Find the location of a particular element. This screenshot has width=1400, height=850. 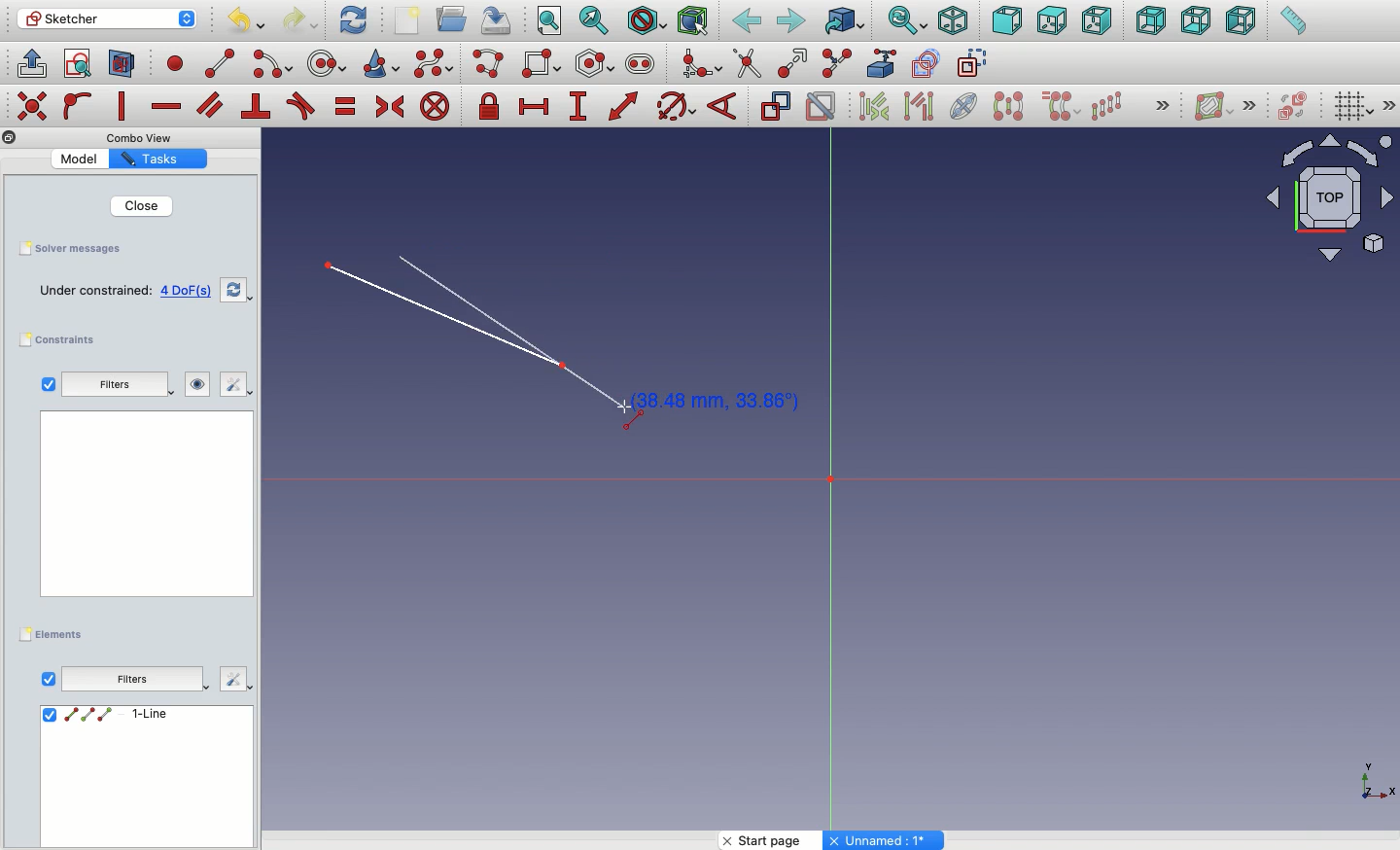

Save is located at coordinates (81, 250).